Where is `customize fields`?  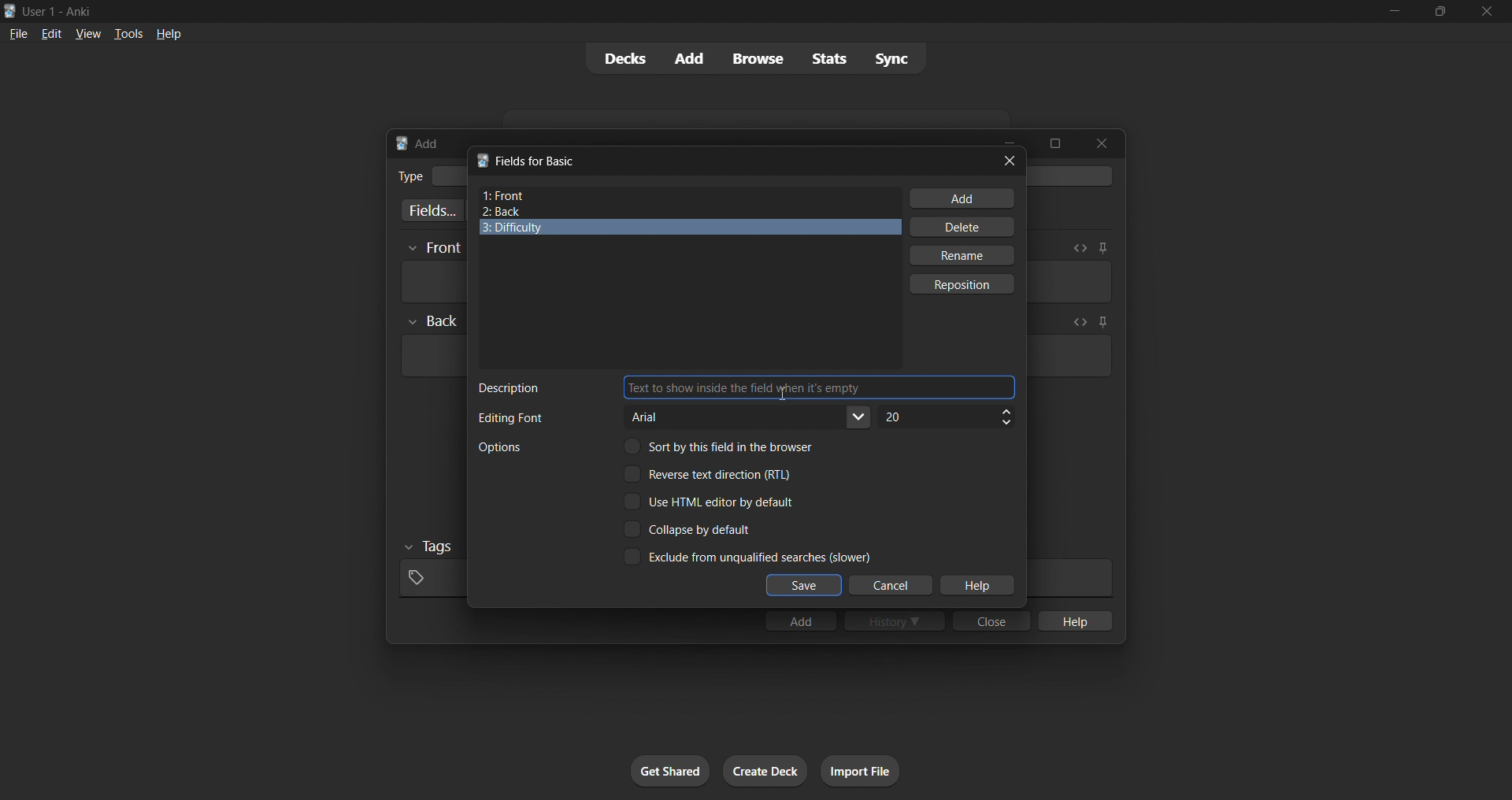 customize fields is located at coordinates (429, 210).